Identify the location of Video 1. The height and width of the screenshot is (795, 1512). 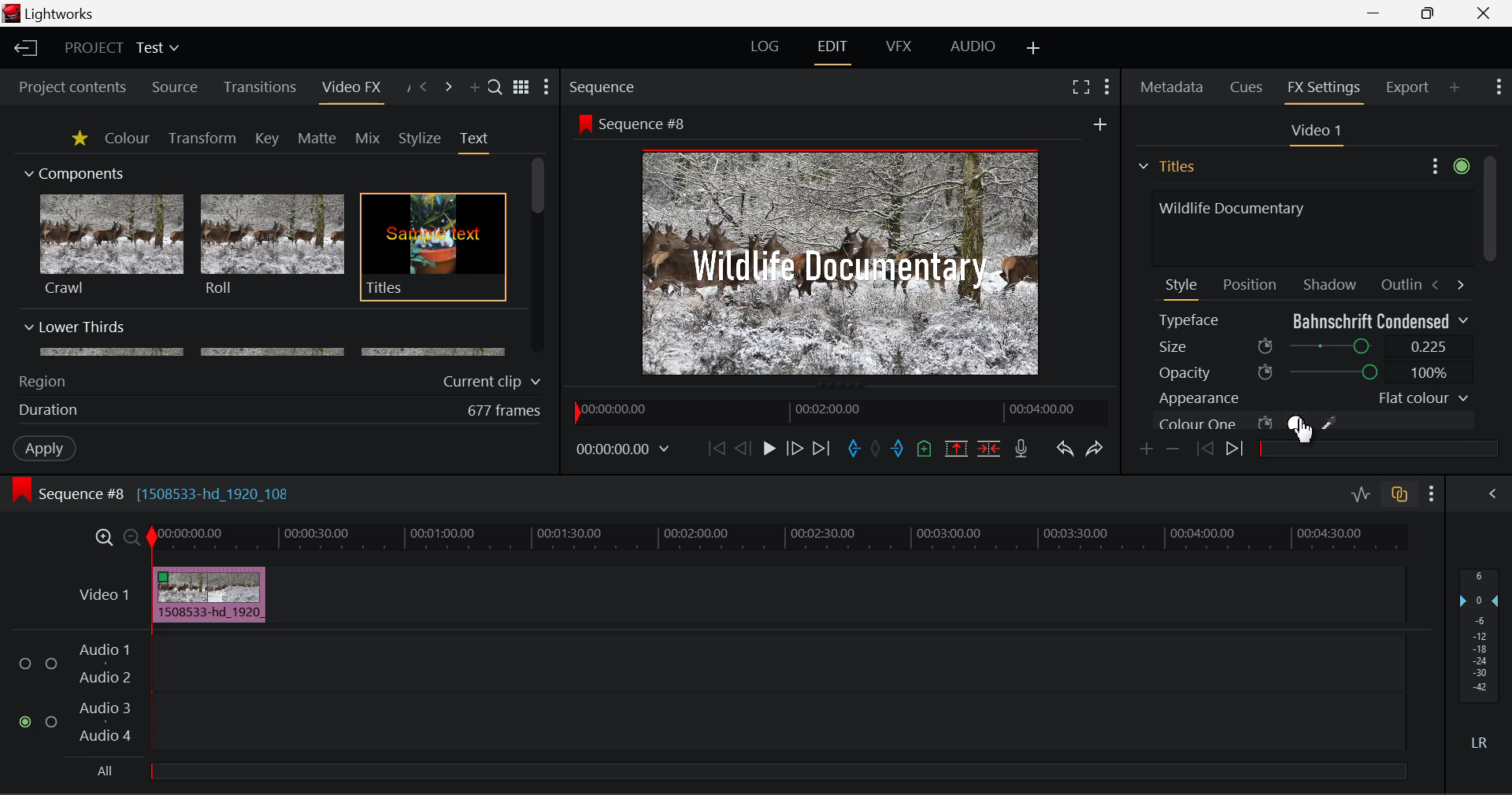
(1314, 131).